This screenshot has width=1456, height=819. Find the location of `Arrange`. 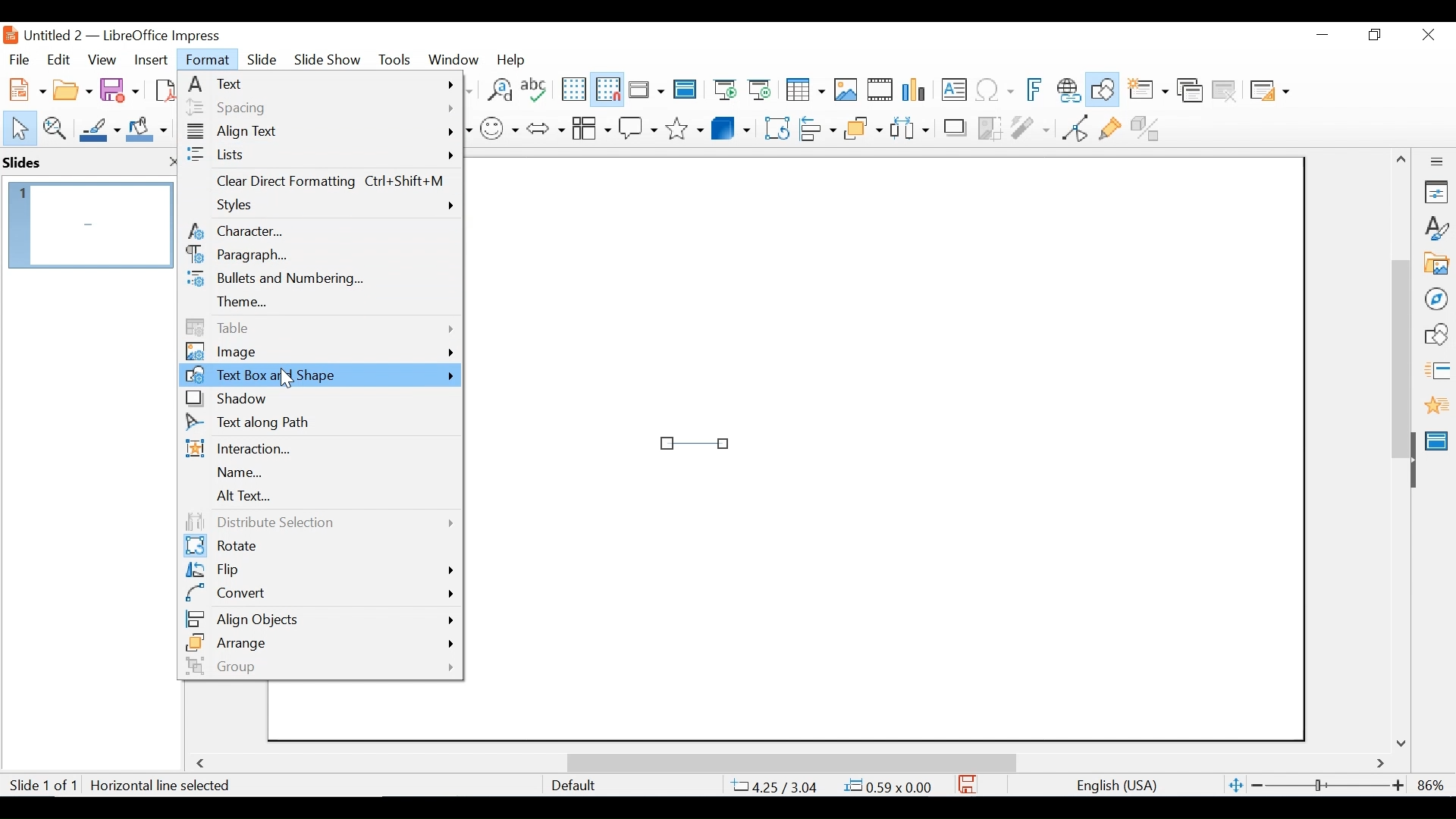

Arrange is located at coordinates (861, 127).